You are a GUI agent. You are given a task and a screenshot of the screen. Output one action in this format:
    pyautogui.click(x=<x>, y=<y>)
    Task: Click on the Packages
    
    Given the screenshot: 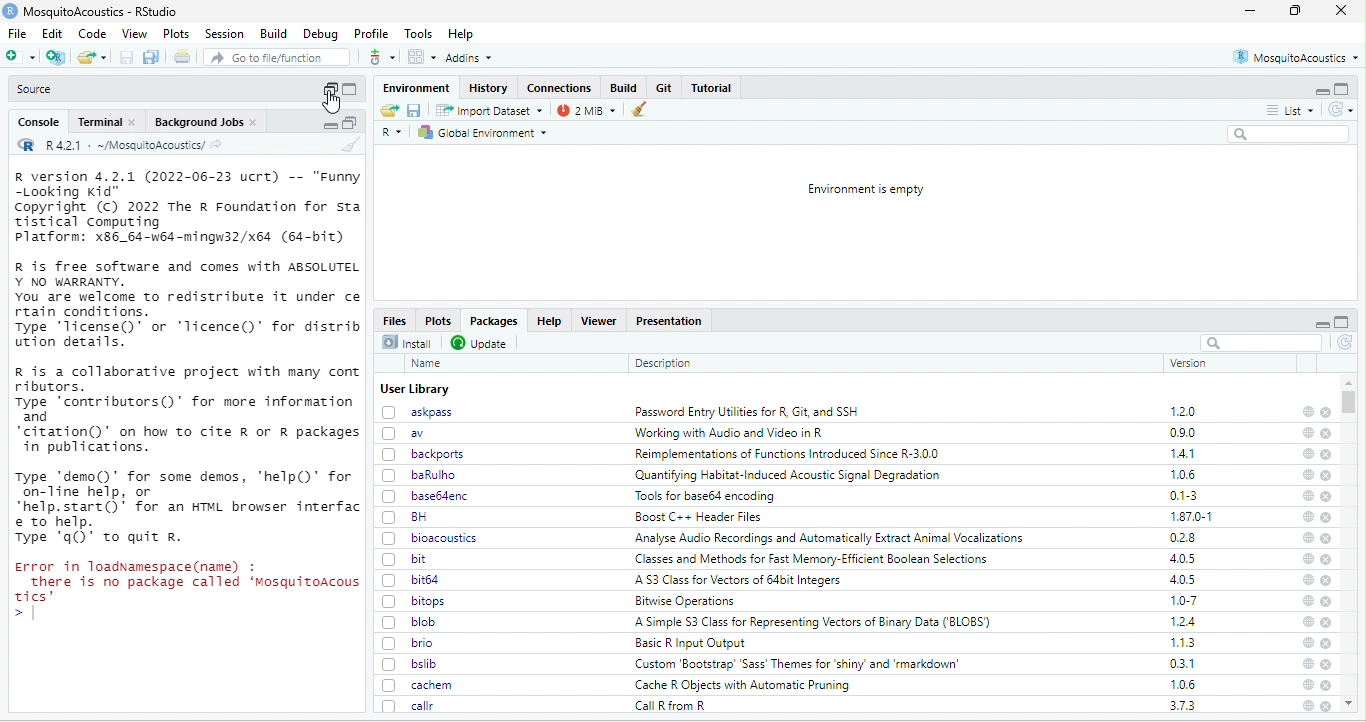 What is the action you would take?
    pyautogui.click(x=494, y=322)
    